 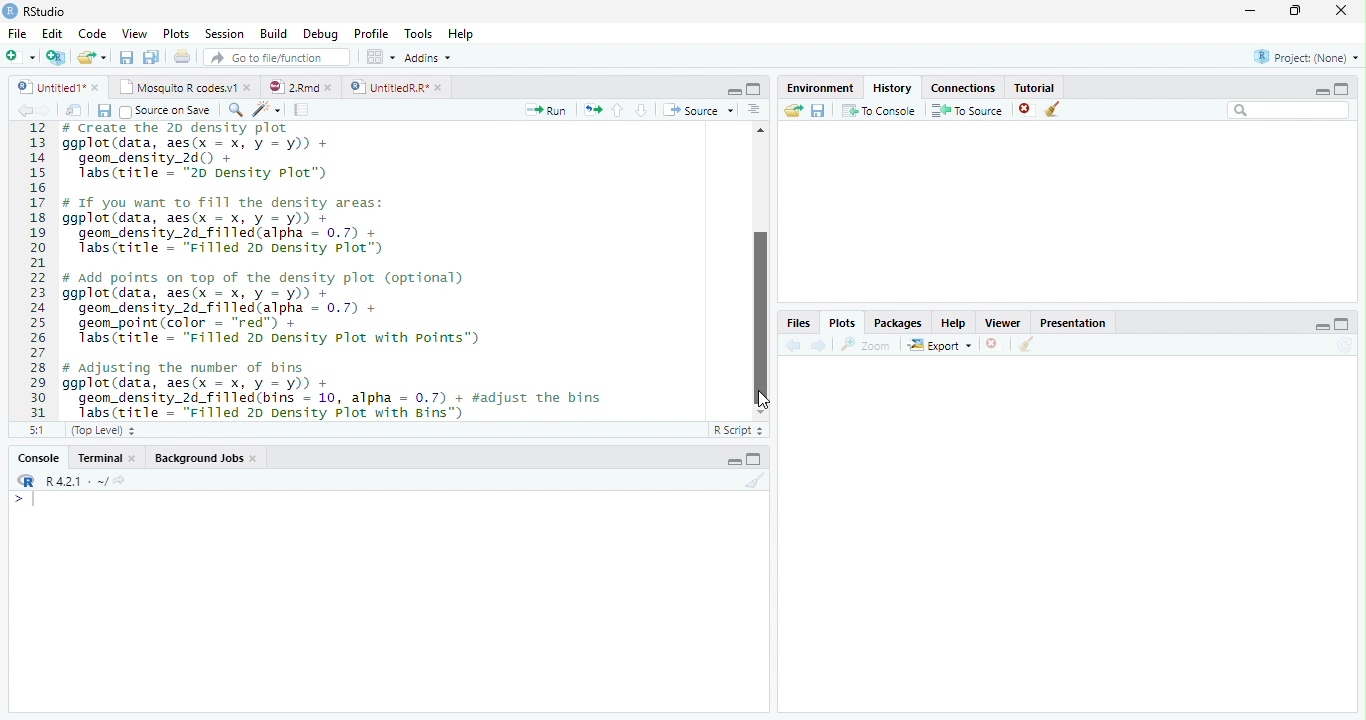 What do you see at coordinates (24, 500) in the screenshot?
I see `>` at bounding box center [24, 500].